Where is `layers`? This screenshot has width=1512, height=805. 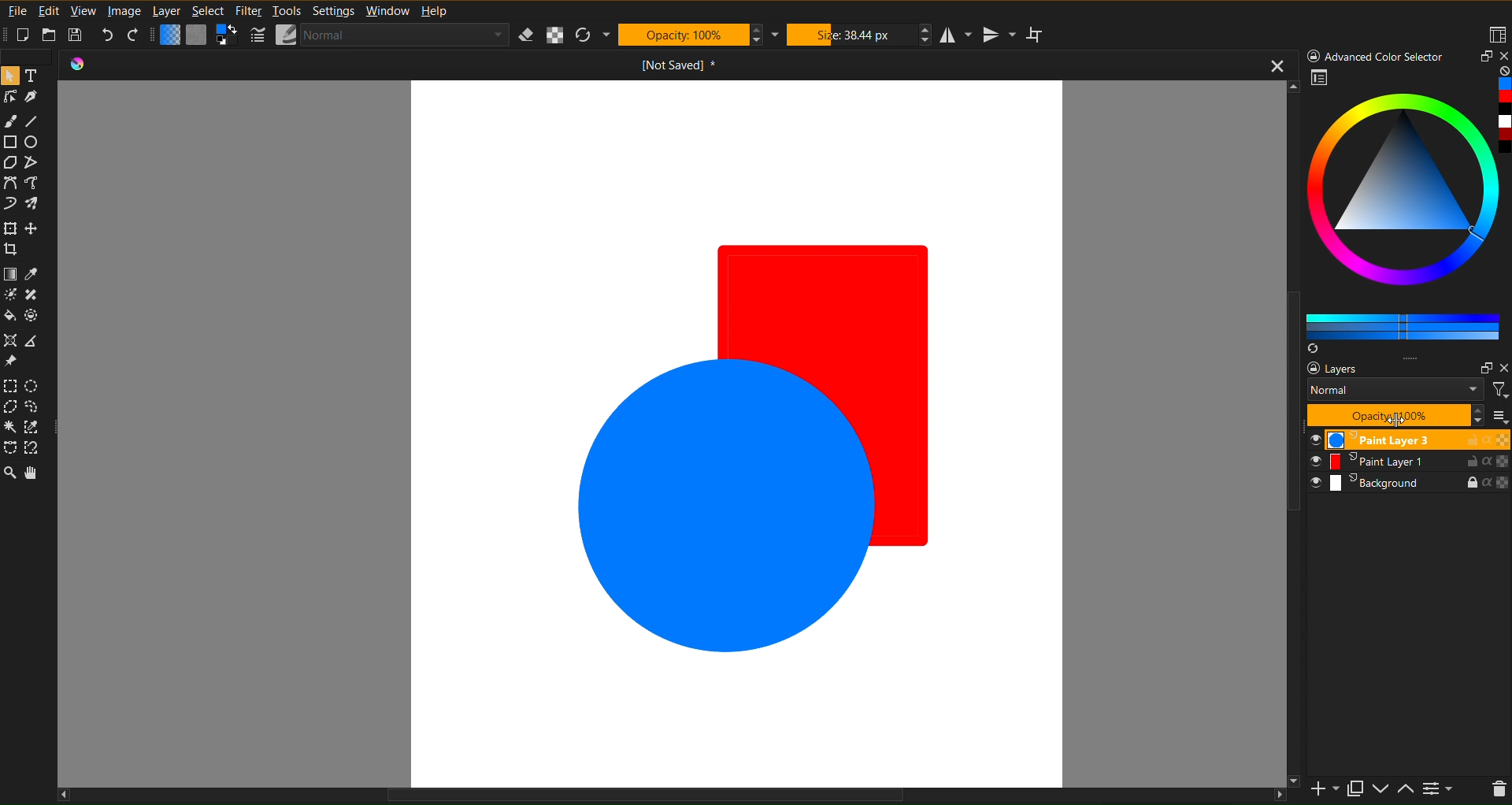 layers is located at coordinates (1337, 367).